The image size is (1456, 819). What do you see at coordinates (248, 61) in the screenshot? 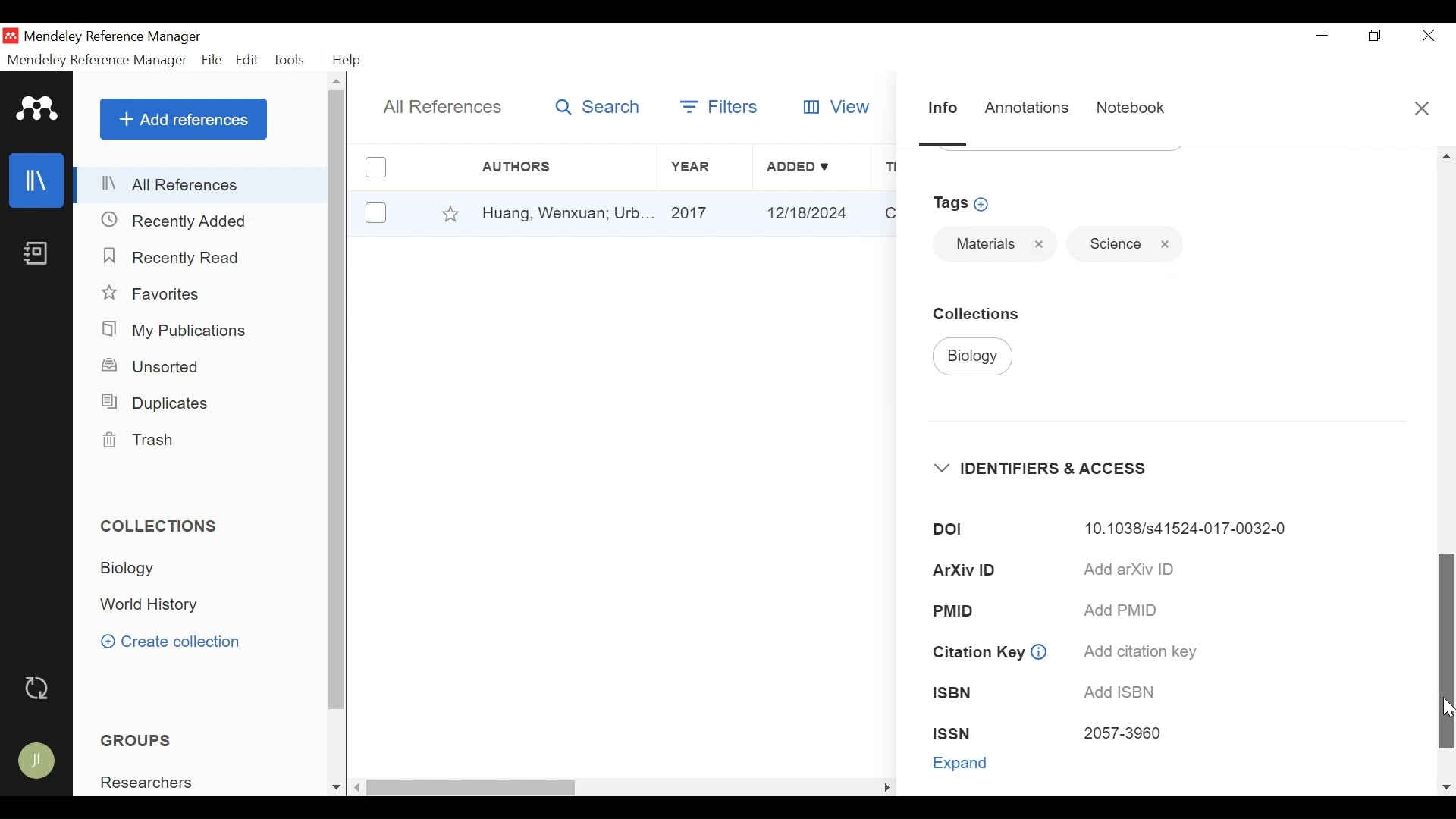
I see `Edit` at bounding box center [248, 61].